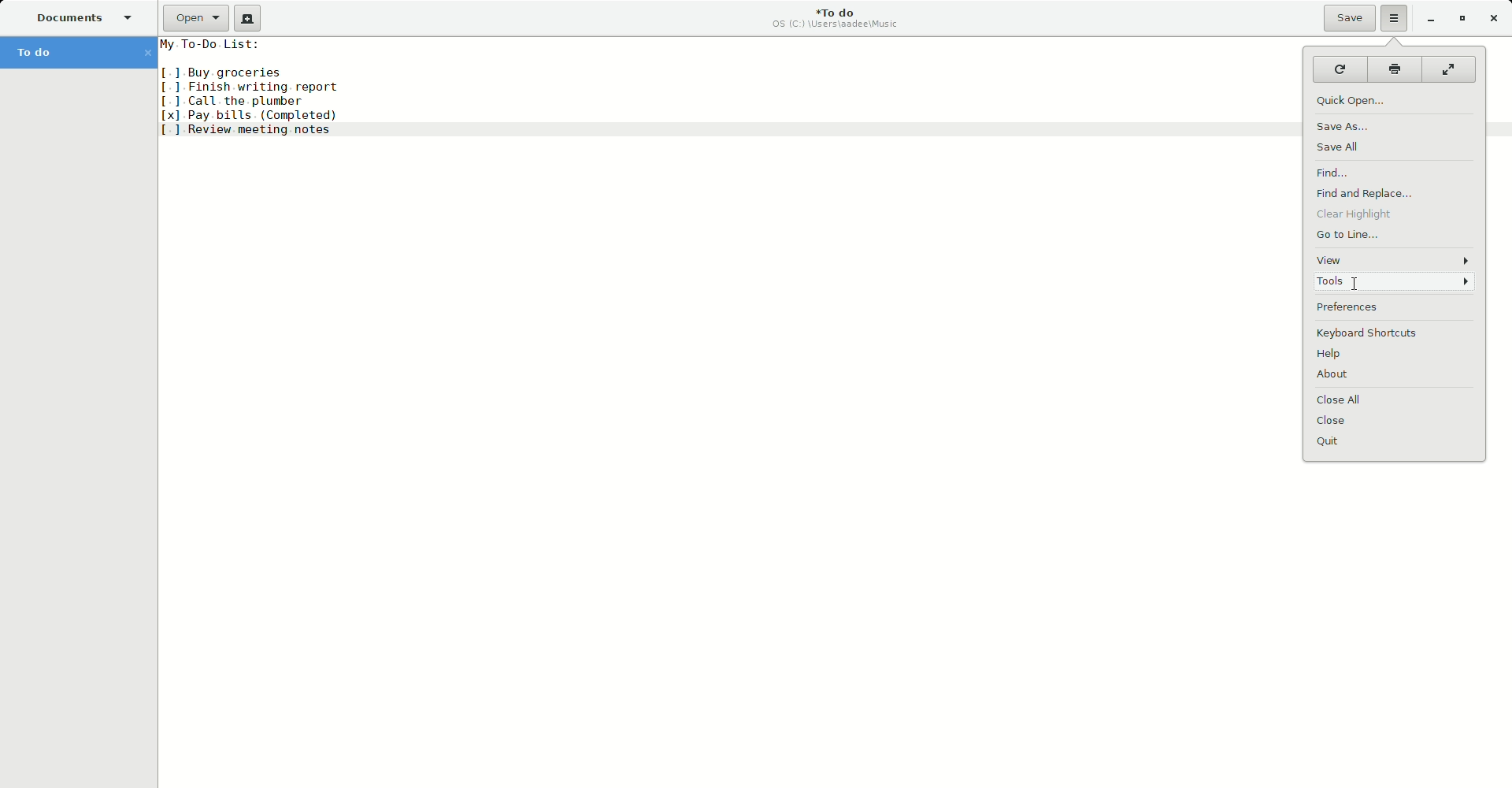 Image resolution: width=1512 pixels, height=788 pixels. Describe the element at coordinates (1343, 149) in the screenshot. I see `Save all` at that location.